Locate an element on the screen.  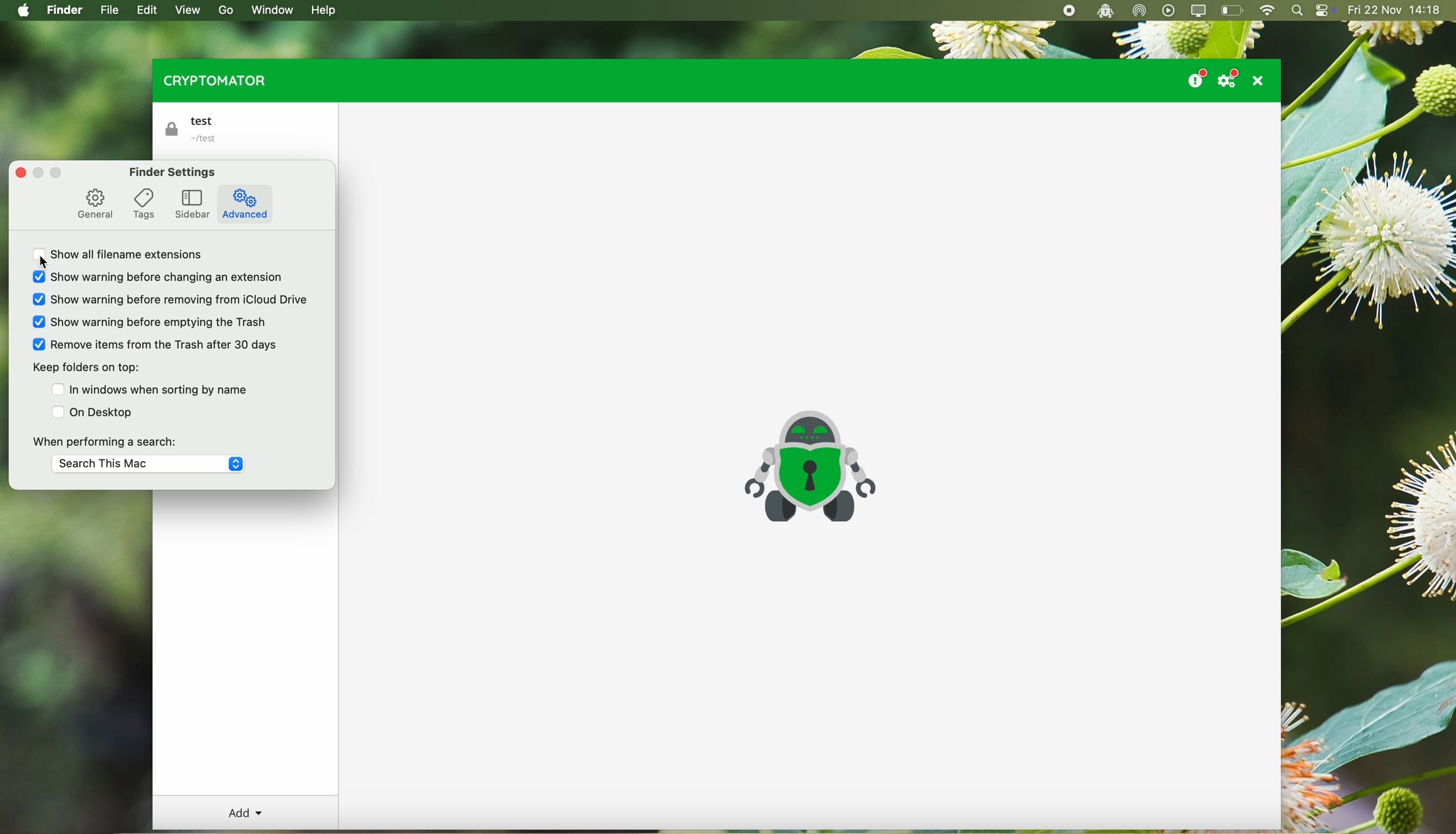
when performing a search: is located at coordinates (105, 440).